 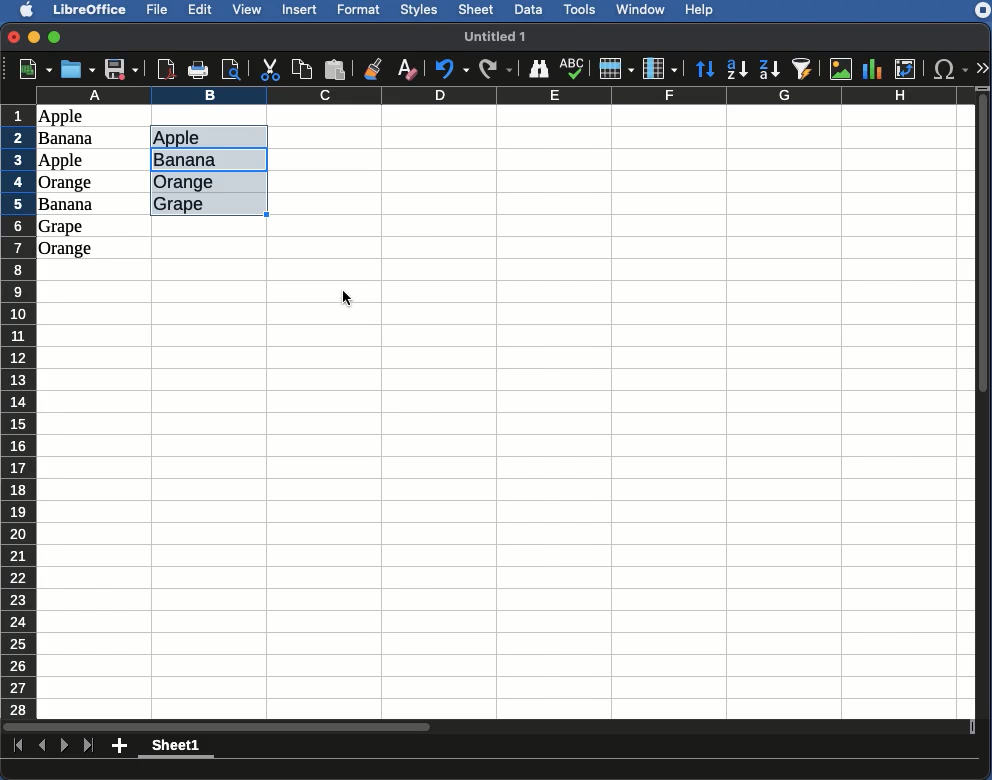 What do you see at coordinates (361, 10) in the screenshot?
I see `Format` at bounding box center [361, 10].